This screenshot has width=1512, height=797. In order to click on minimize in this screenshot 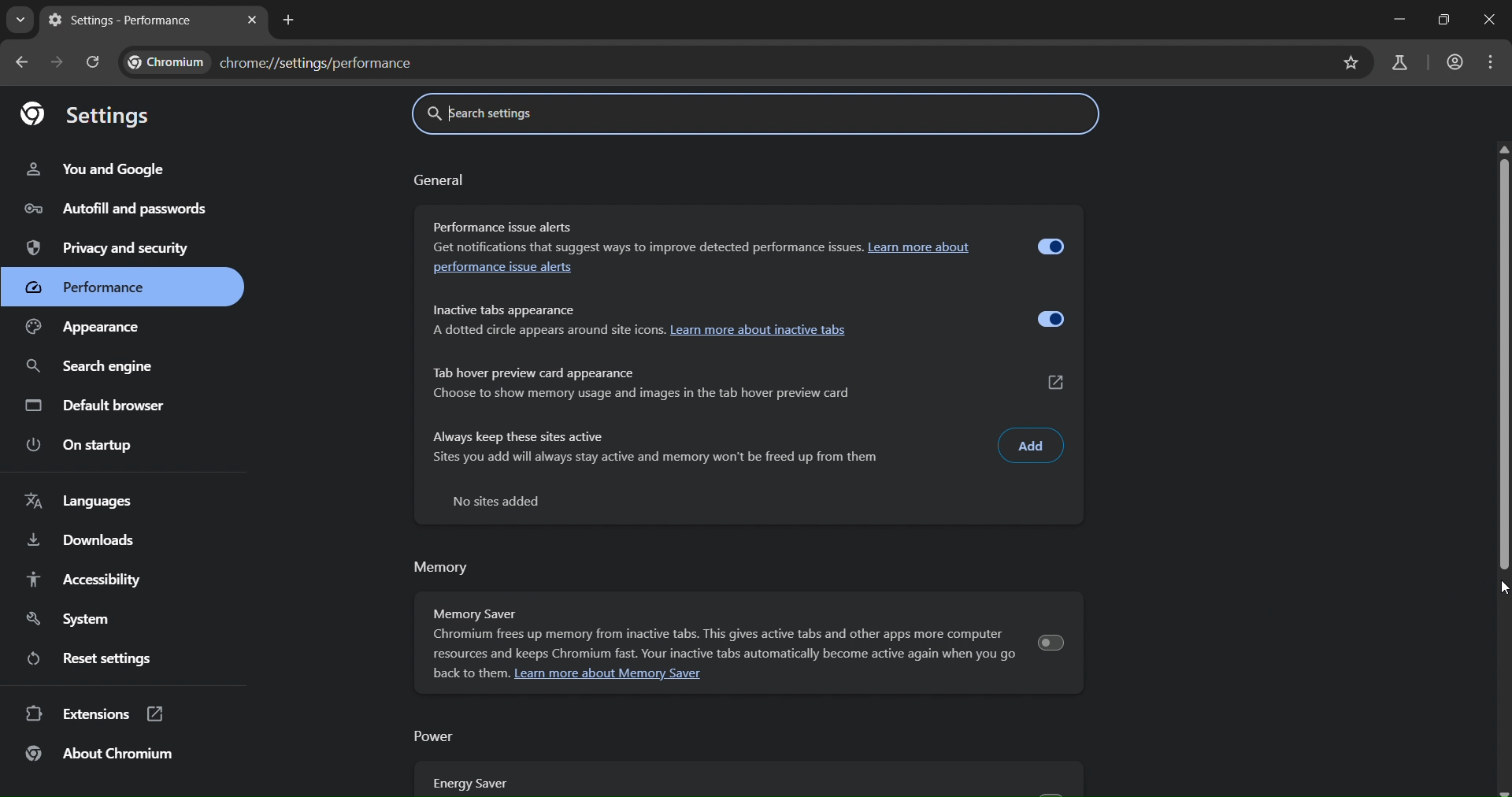, I will do `click(1396, 16)`.